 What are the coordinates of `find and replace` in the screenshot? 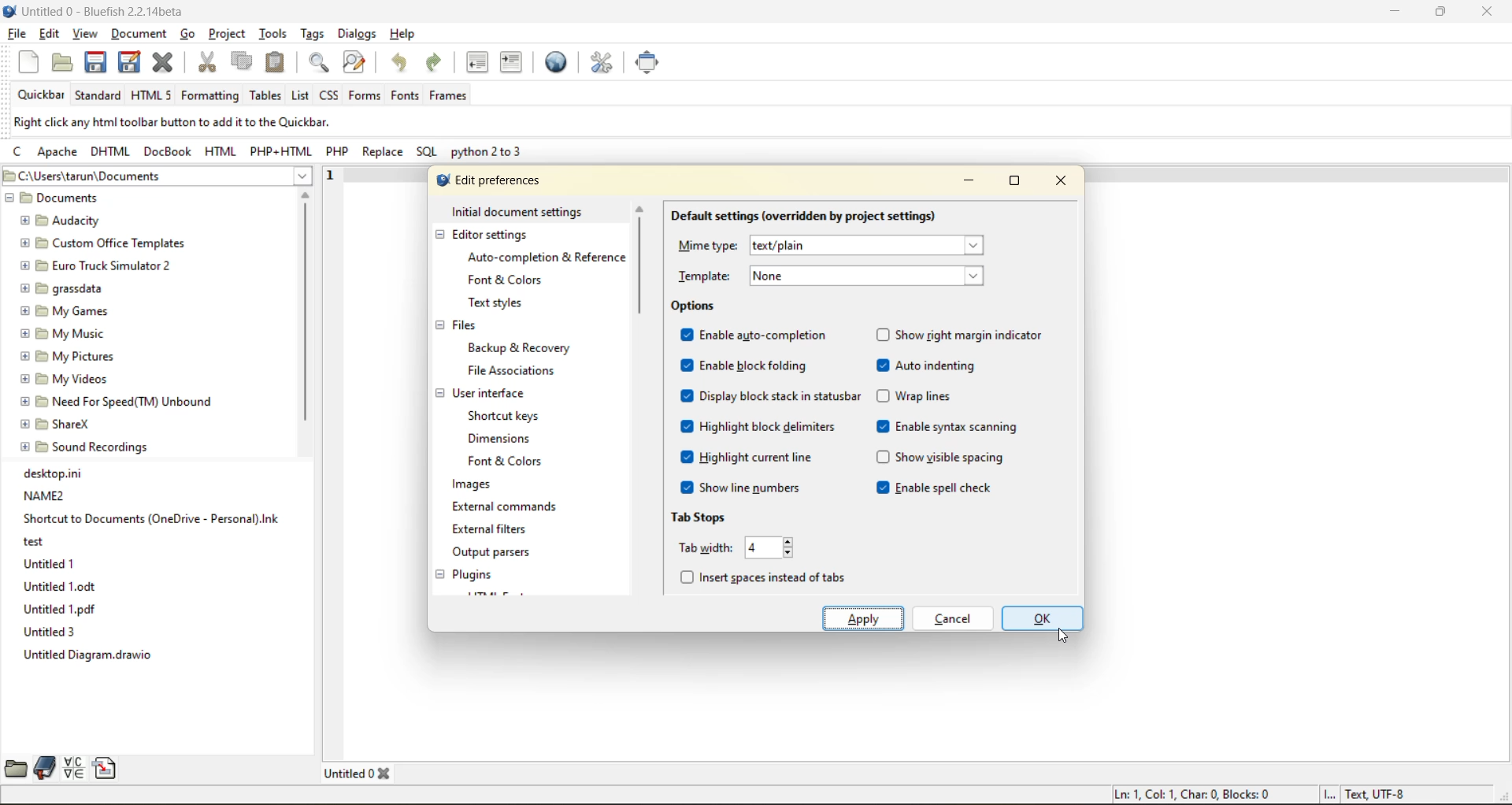 It's located at (355, 63).